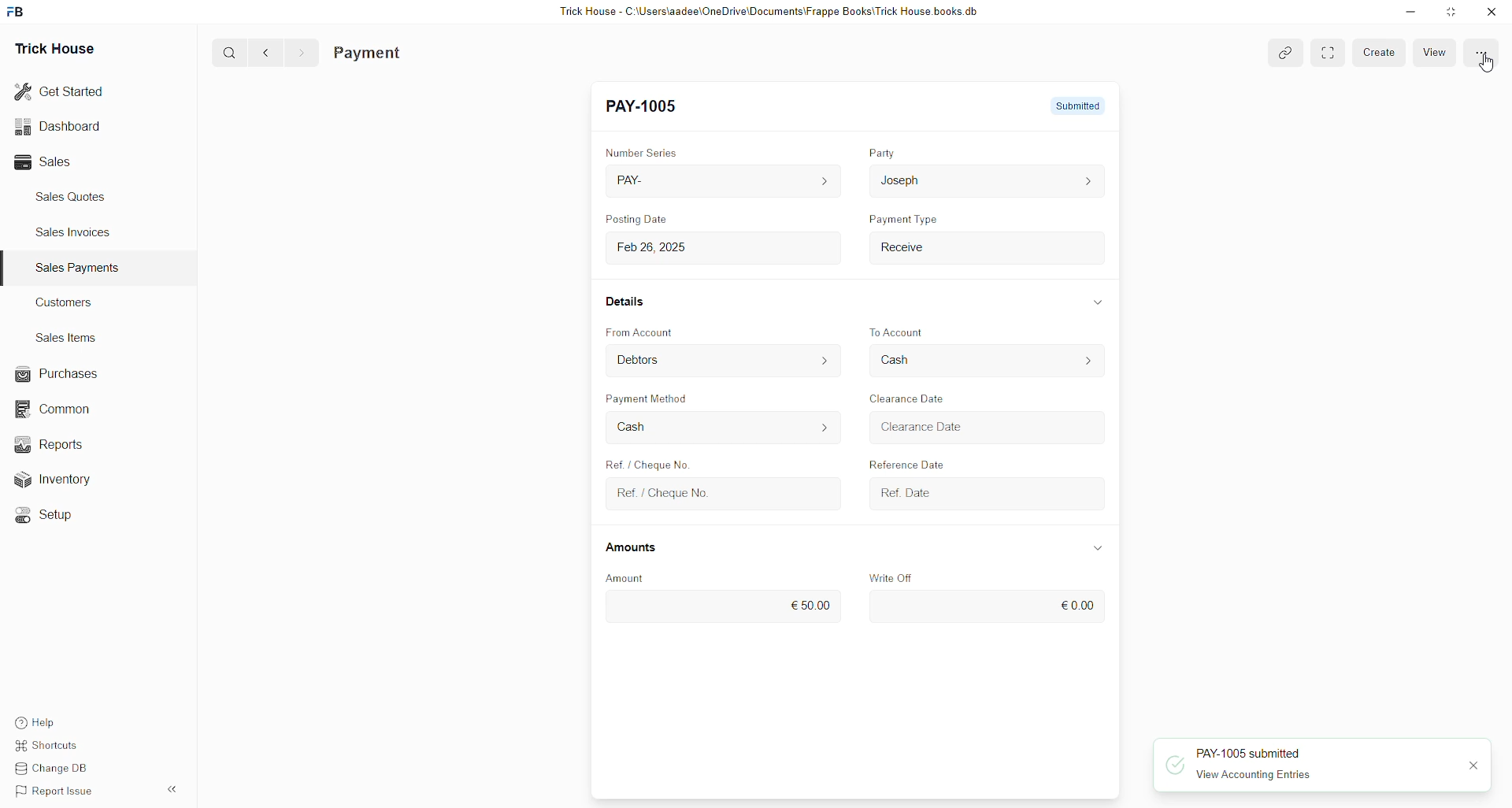  Describe the element at coordinates (878, 152) in the screenshot. I see `Party` at that location.